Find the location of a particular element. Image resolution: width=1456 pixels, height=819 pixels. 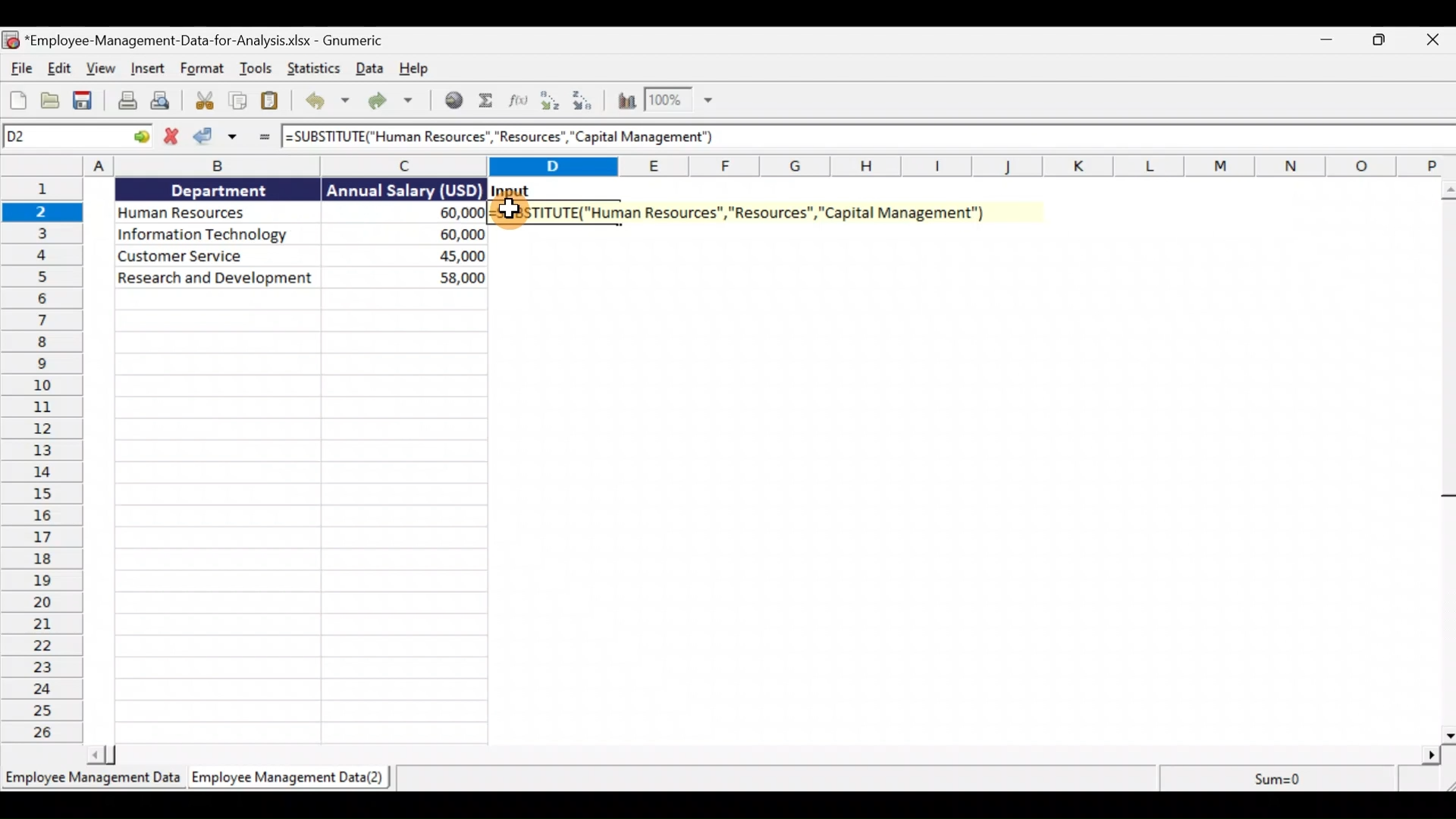

Create a new workbook is located at coordinates (14, 99).